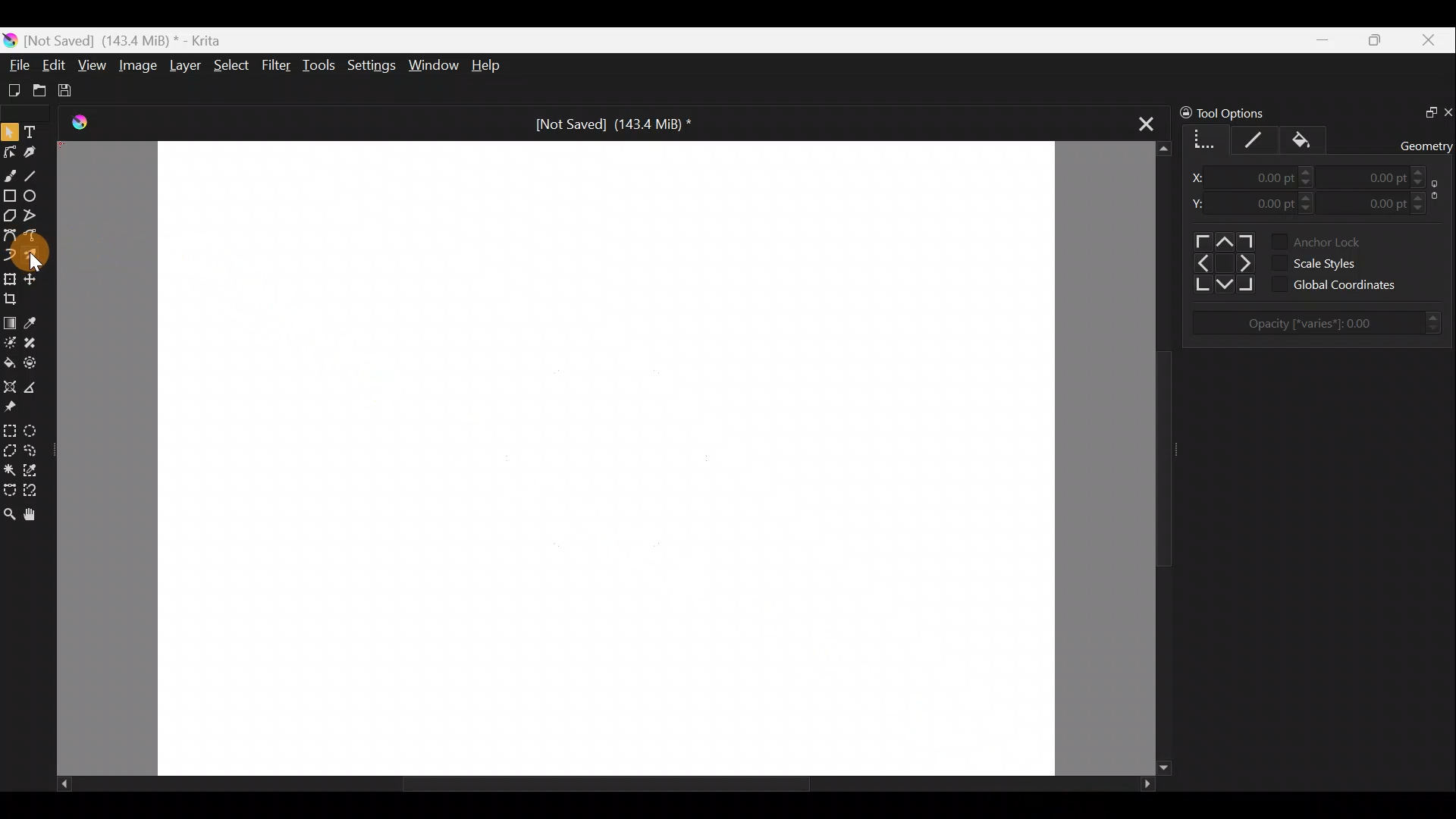  I want to click on Crop an image, so click(15, 297).